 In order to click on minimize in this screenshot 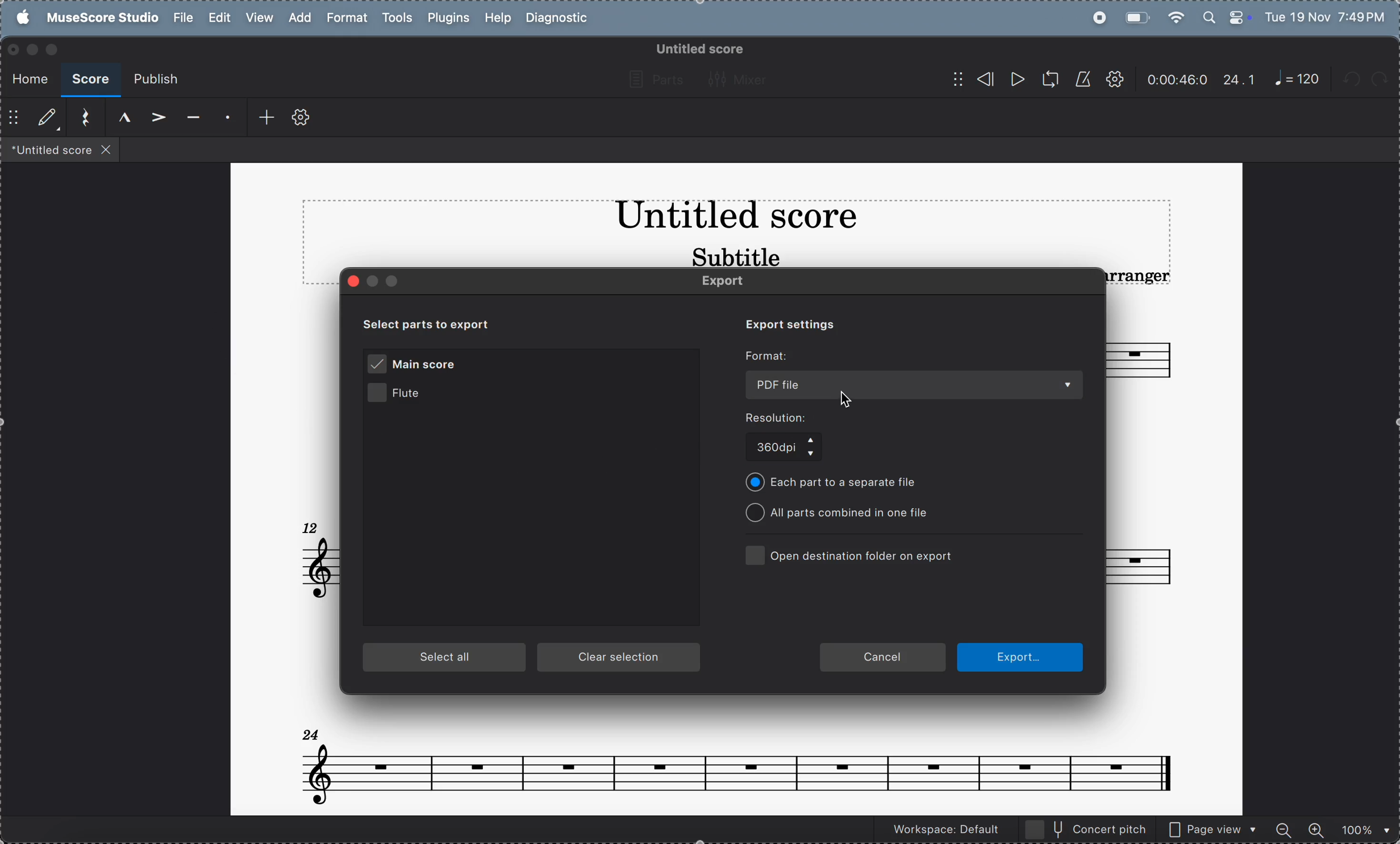, I will do `click(32, 49)`.